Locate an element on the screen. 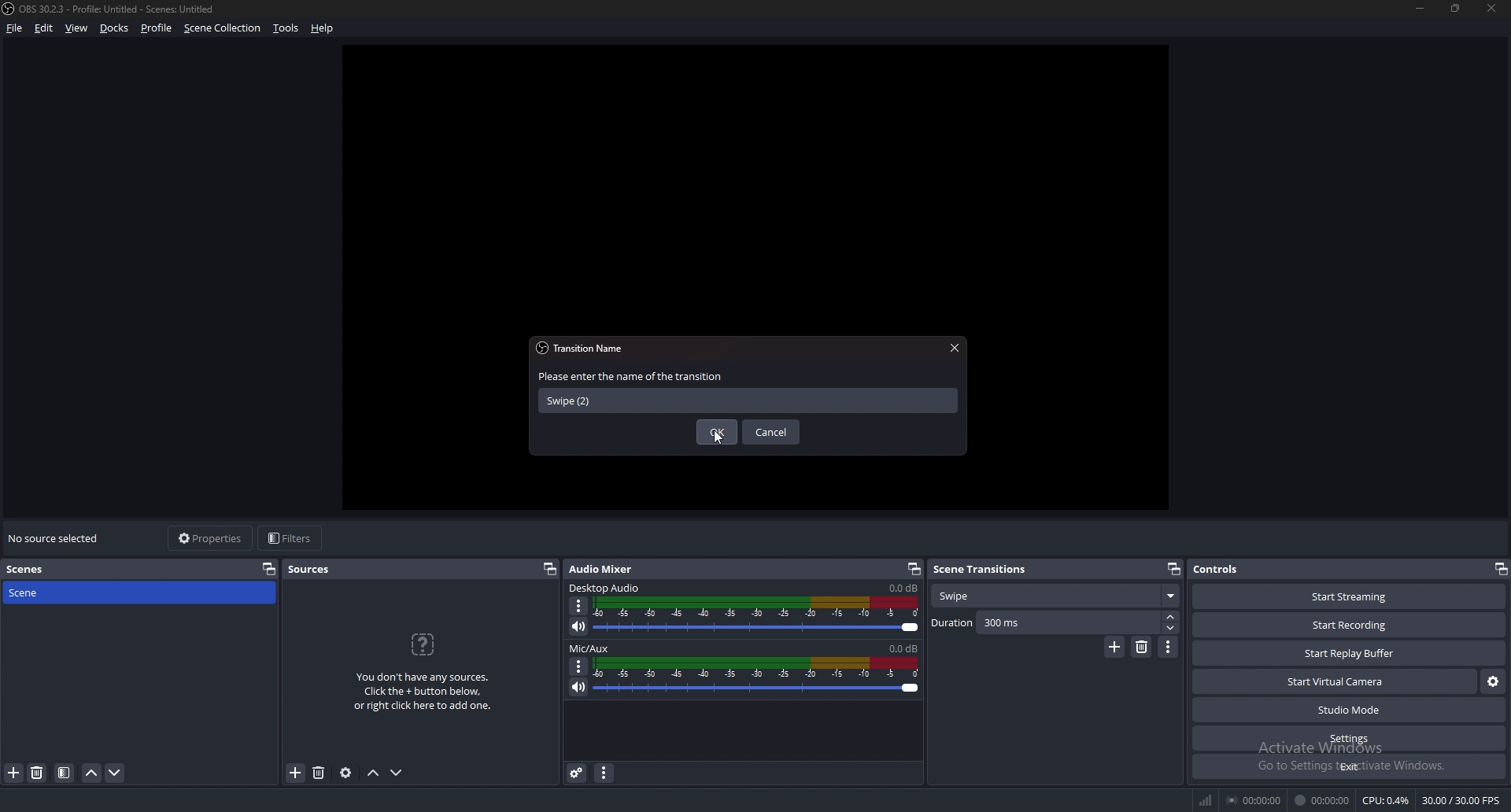 The height and width of the screenshot is (812, 1511). 0.0db is located at coordinates (903, 648).